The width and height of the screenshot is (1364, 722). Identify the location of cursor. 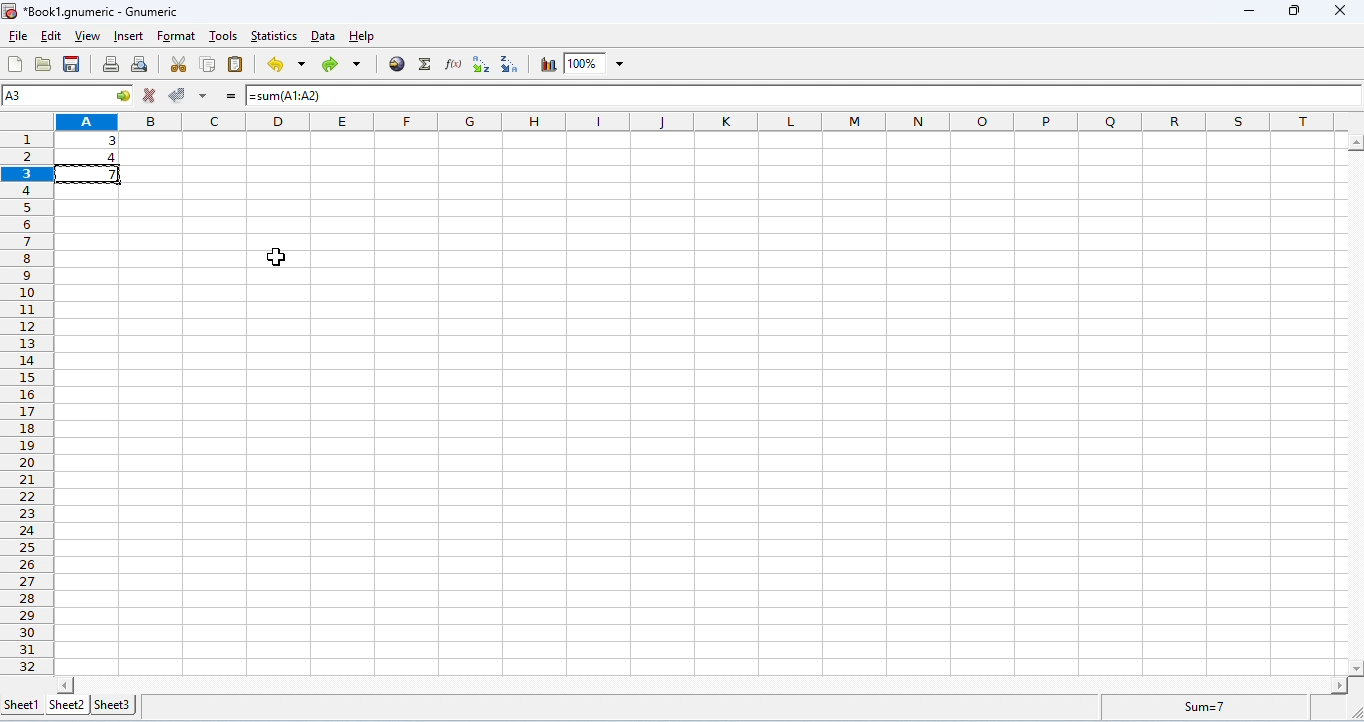
(275, 257).